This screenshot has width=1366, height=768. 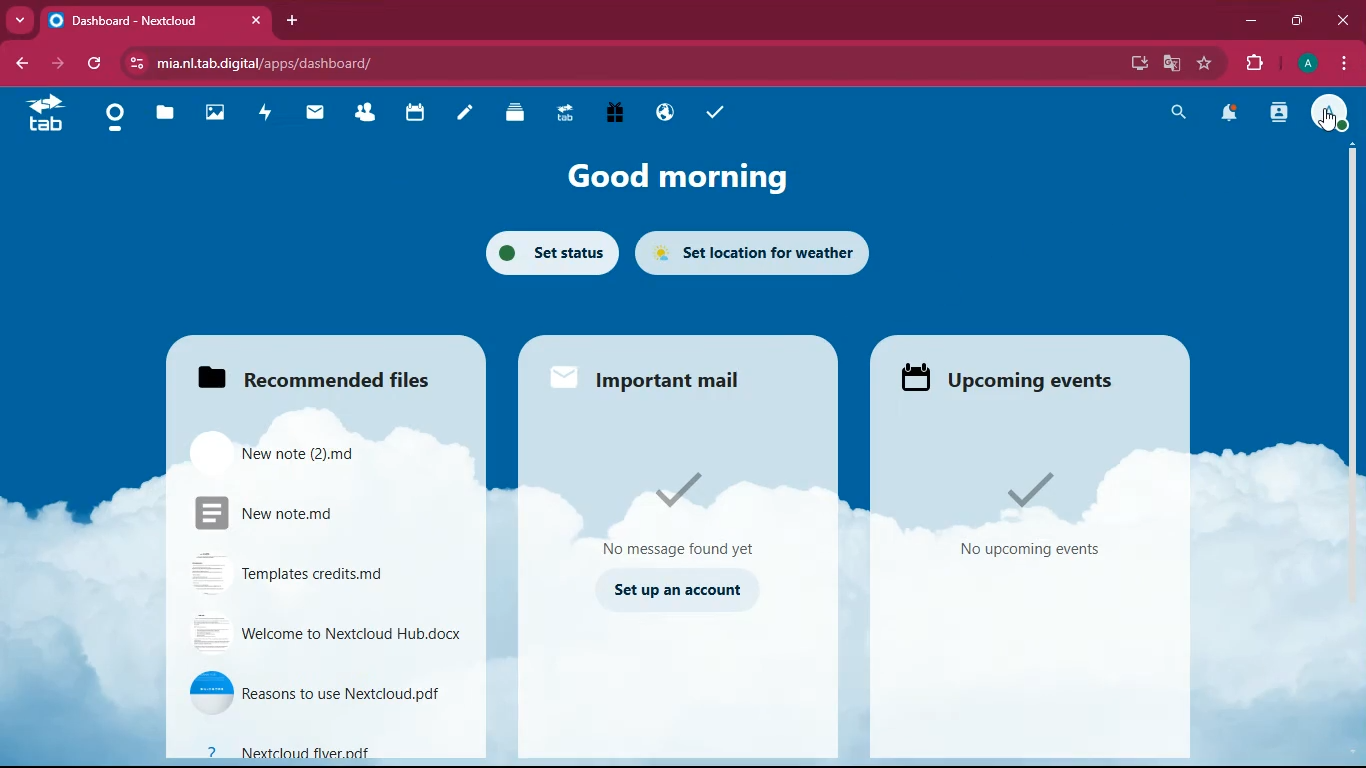 What do you see at coordinates (720, 110) in the screenshot?
I see `tasks` at bounding box center [720, 110].